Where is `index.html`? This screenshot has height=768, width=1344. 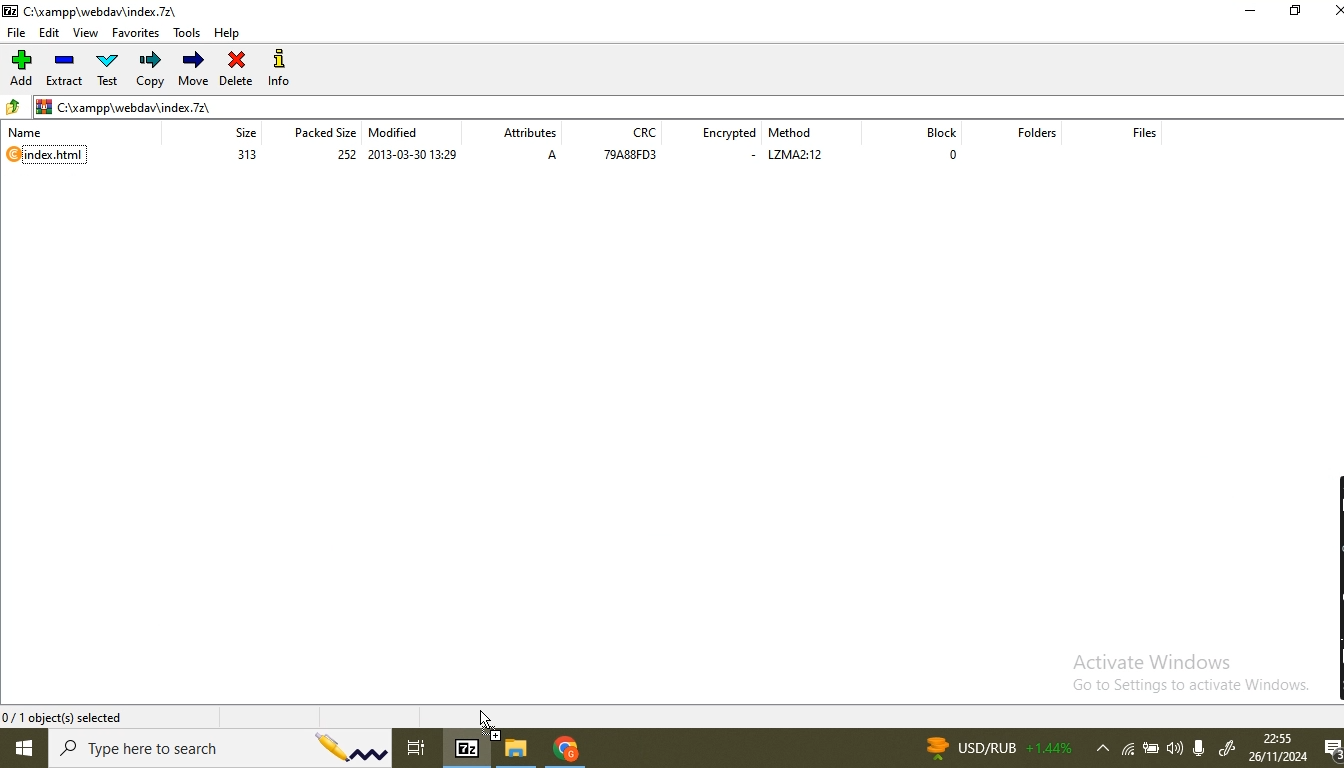
index.html is located at coordinates (57, 155).